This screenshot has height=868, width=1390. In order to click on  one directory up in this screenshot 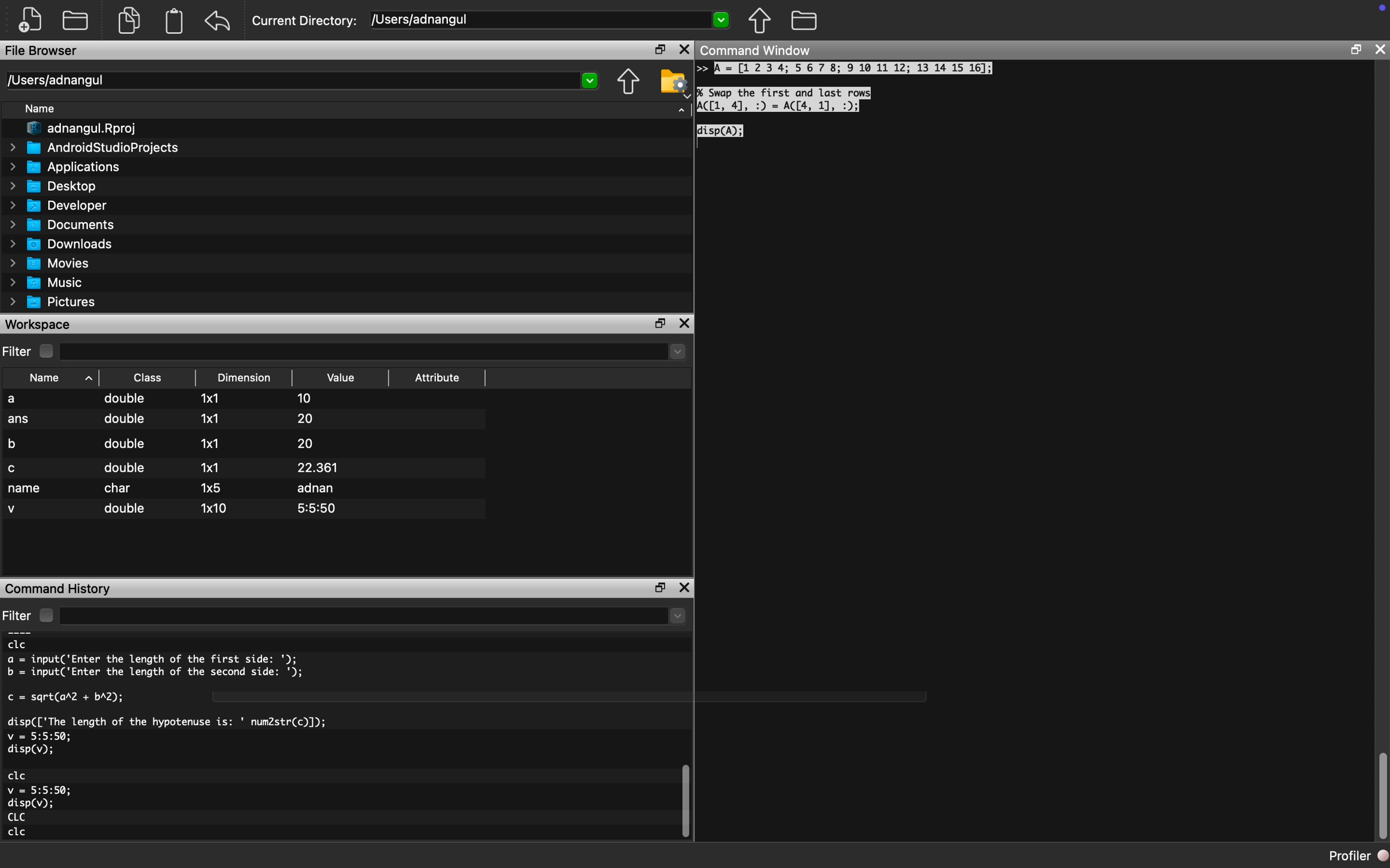, I will do `click(625, 81)`.